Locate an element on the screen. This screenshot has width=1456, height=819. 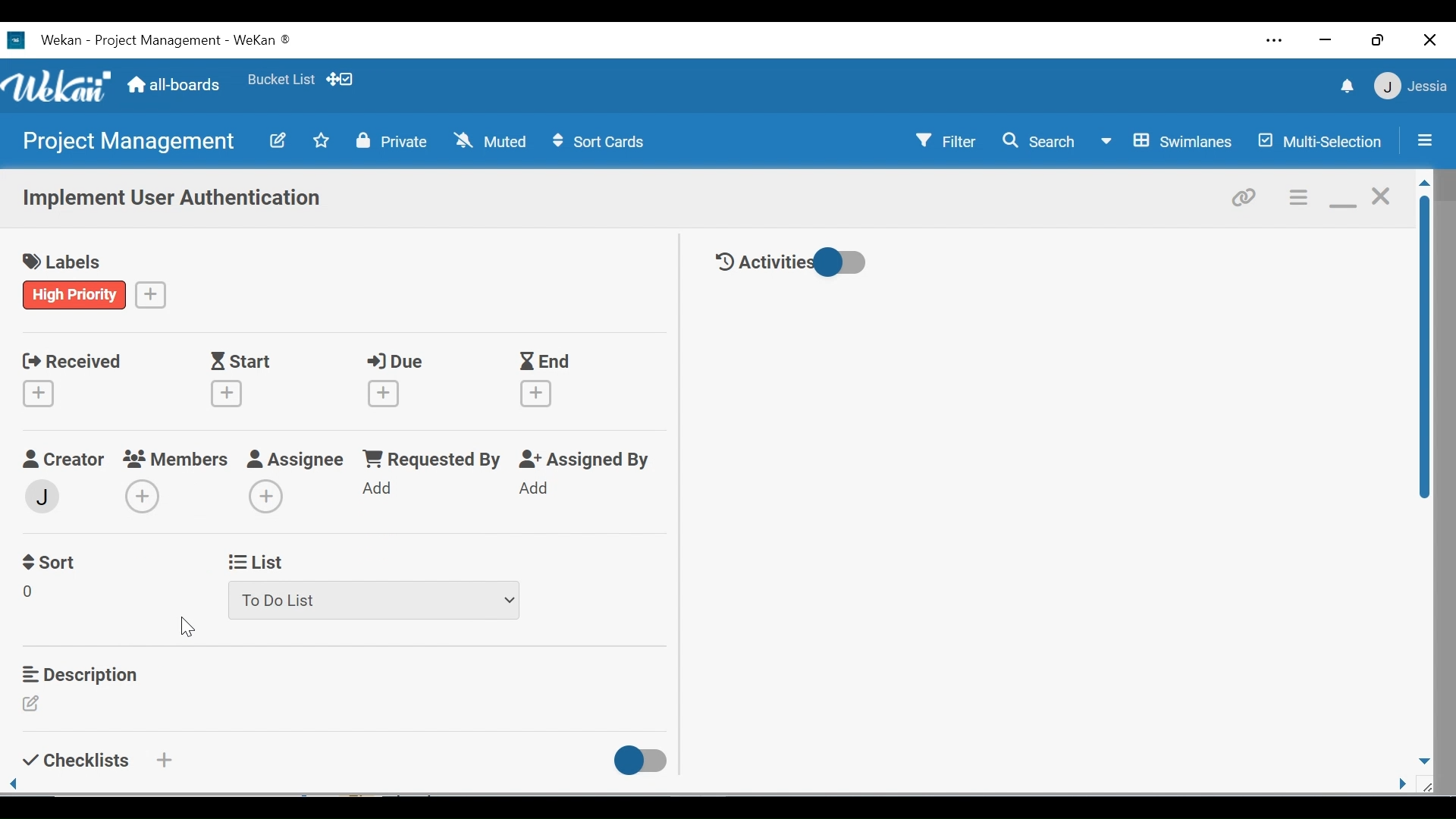
add is located at coordinates (381, 490).